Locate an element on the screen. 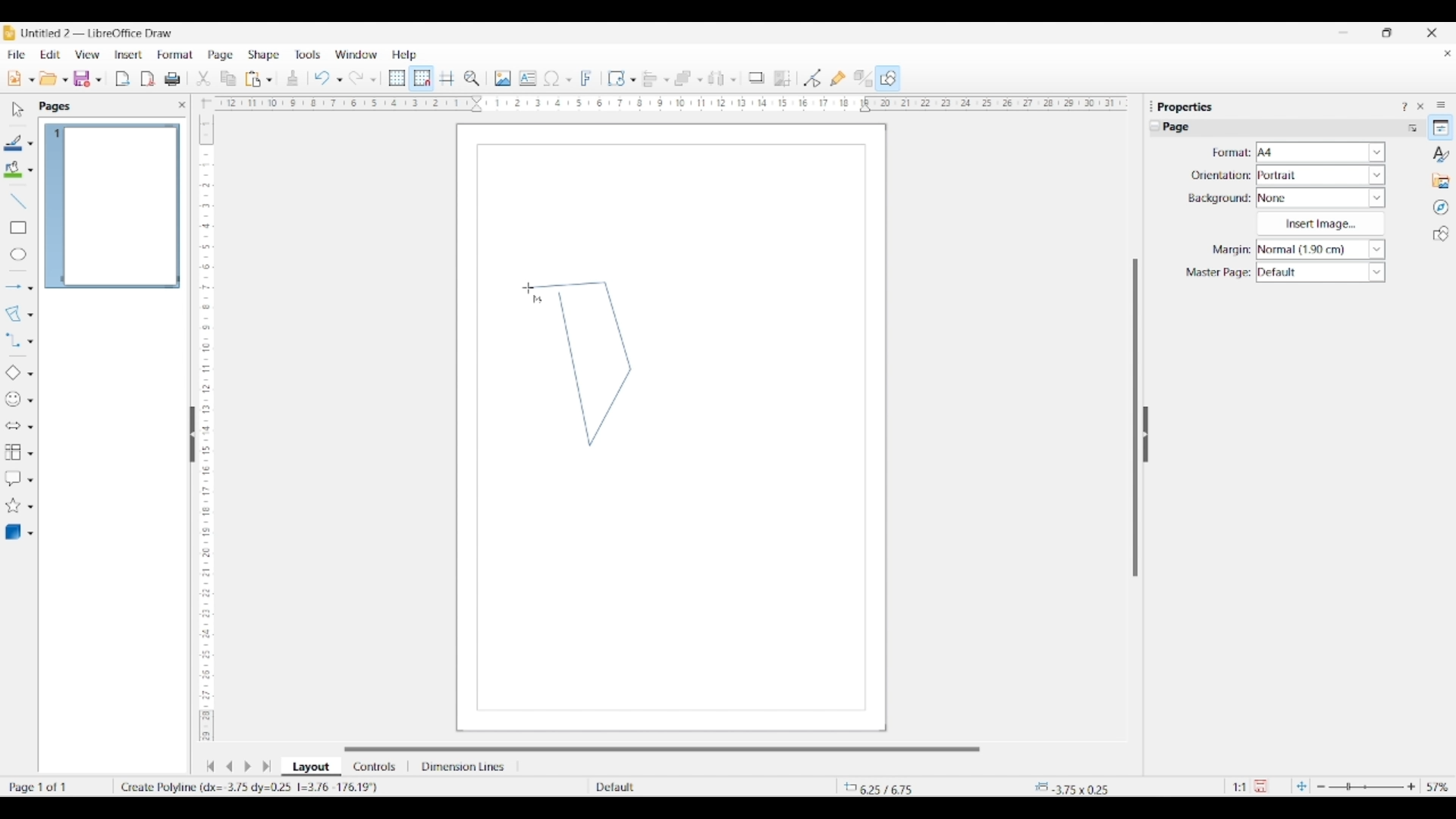  Show gluepoint options is located at coordinates (837, 78).